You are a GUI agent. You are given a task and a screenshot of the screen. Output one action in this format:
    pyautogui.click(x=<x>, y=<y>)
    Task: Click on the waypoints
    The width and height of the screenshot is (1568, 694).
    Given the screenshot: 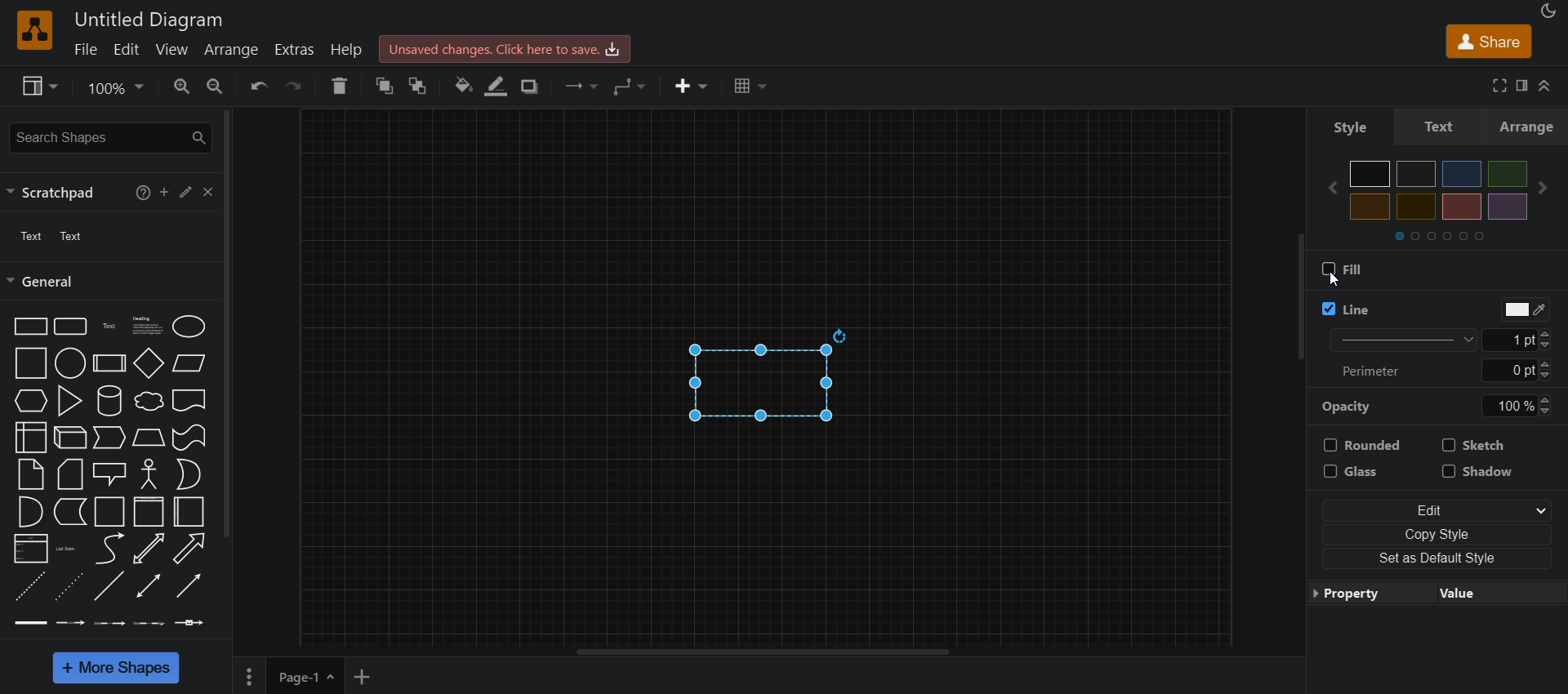 What is the action you would take?
    pyautogui.click(x=633, y=87)
    